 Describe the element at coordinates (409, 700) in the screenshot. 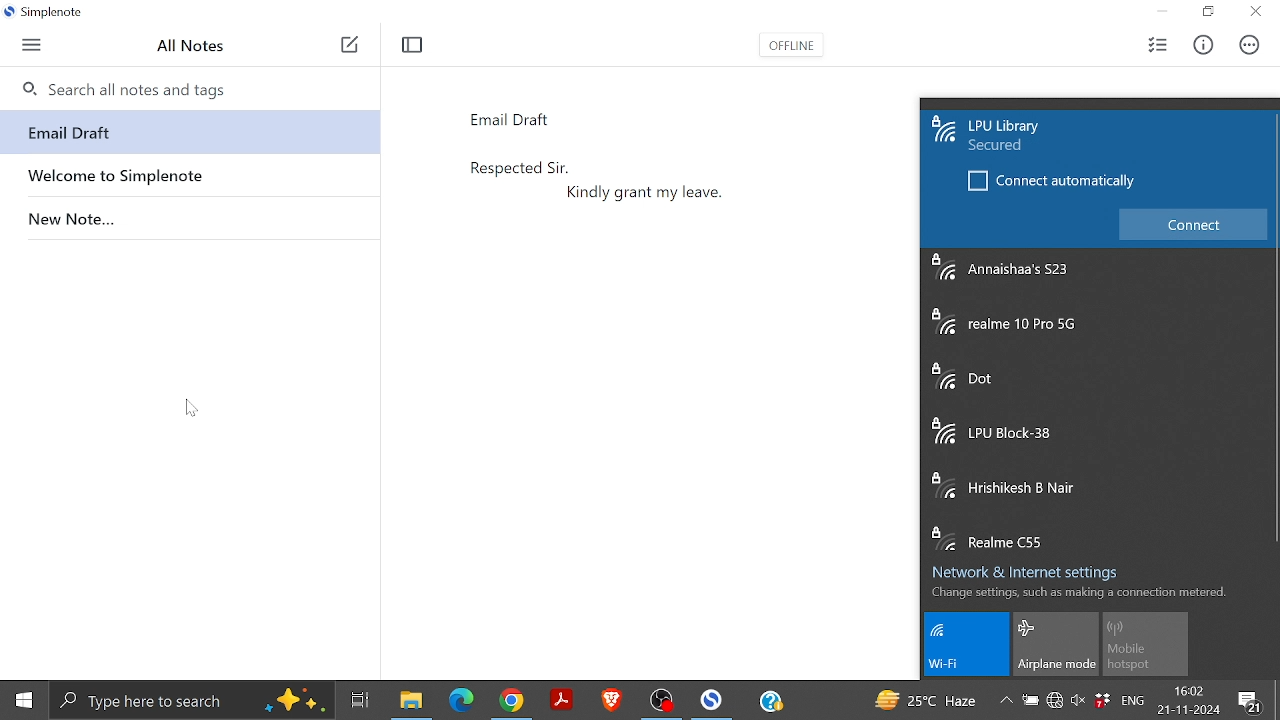

I see `Files` at that location.